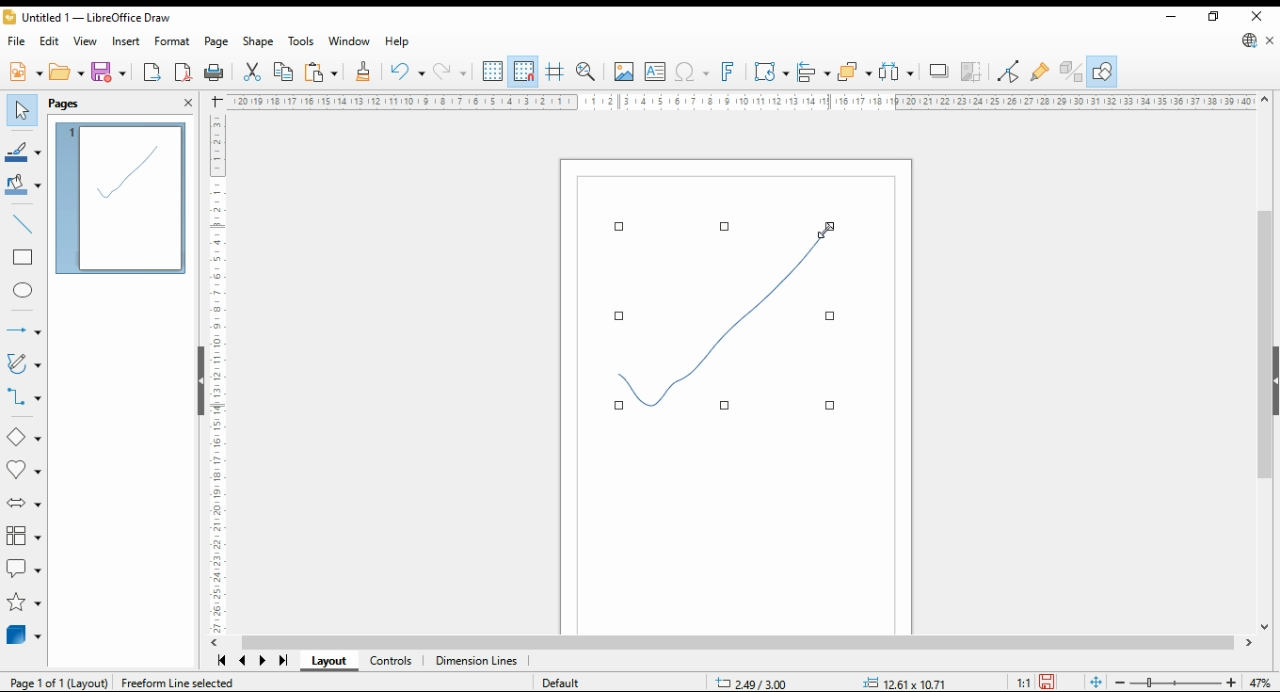 Image resolution: width=1280 pixels, height=692 pixels. What do you see at coordinates (262, 661) in the screenshot?
I see `next page` at bounding box center [262, 661].